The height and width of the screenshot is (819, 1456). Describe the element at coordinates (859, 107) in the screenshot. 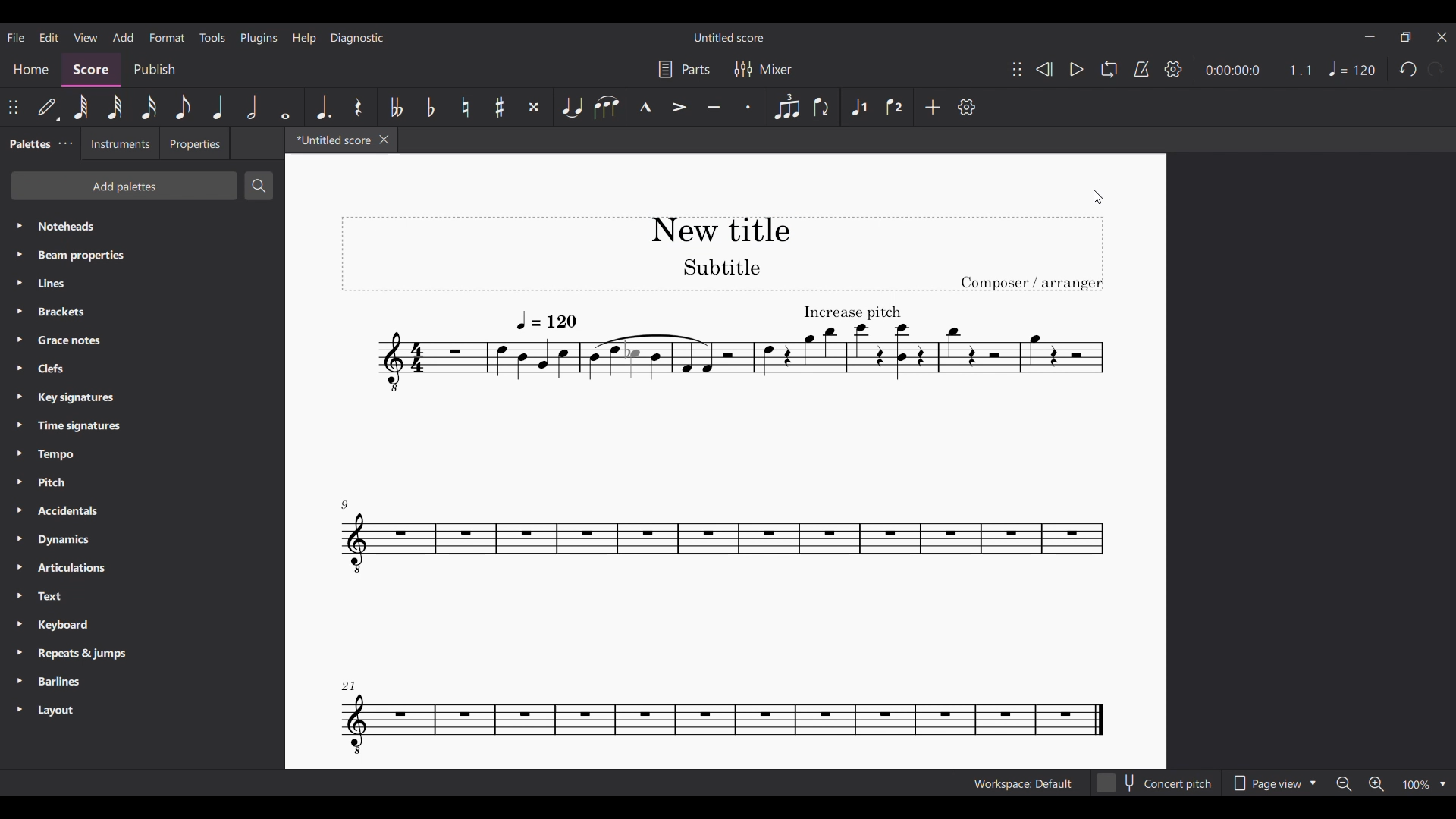

I see `Voice 1` at that location.